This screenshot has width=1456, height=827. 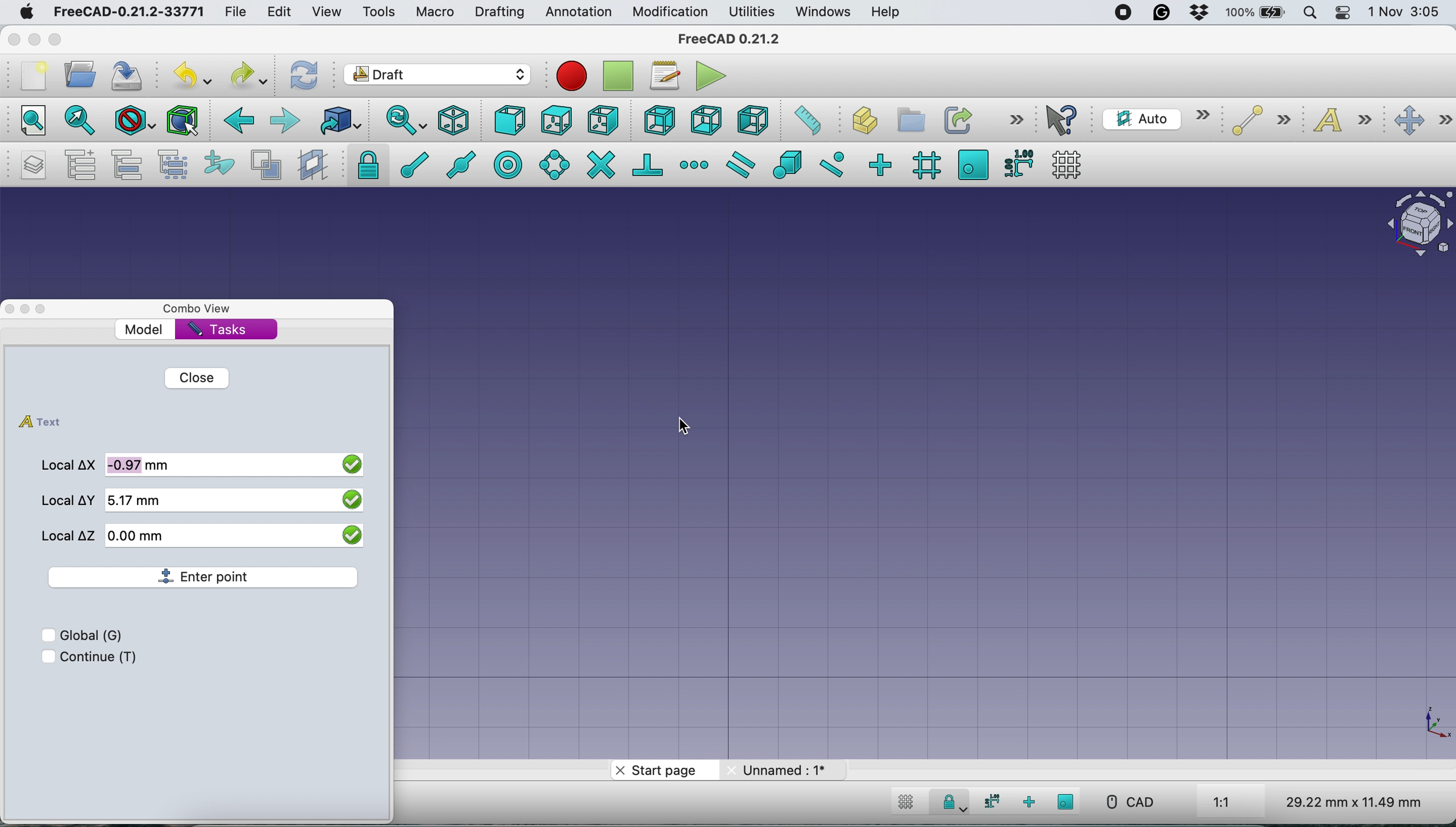 What do you see at coordinates (68, 500) in the screenshot?
I see `local` at bounding box center [68, 500].